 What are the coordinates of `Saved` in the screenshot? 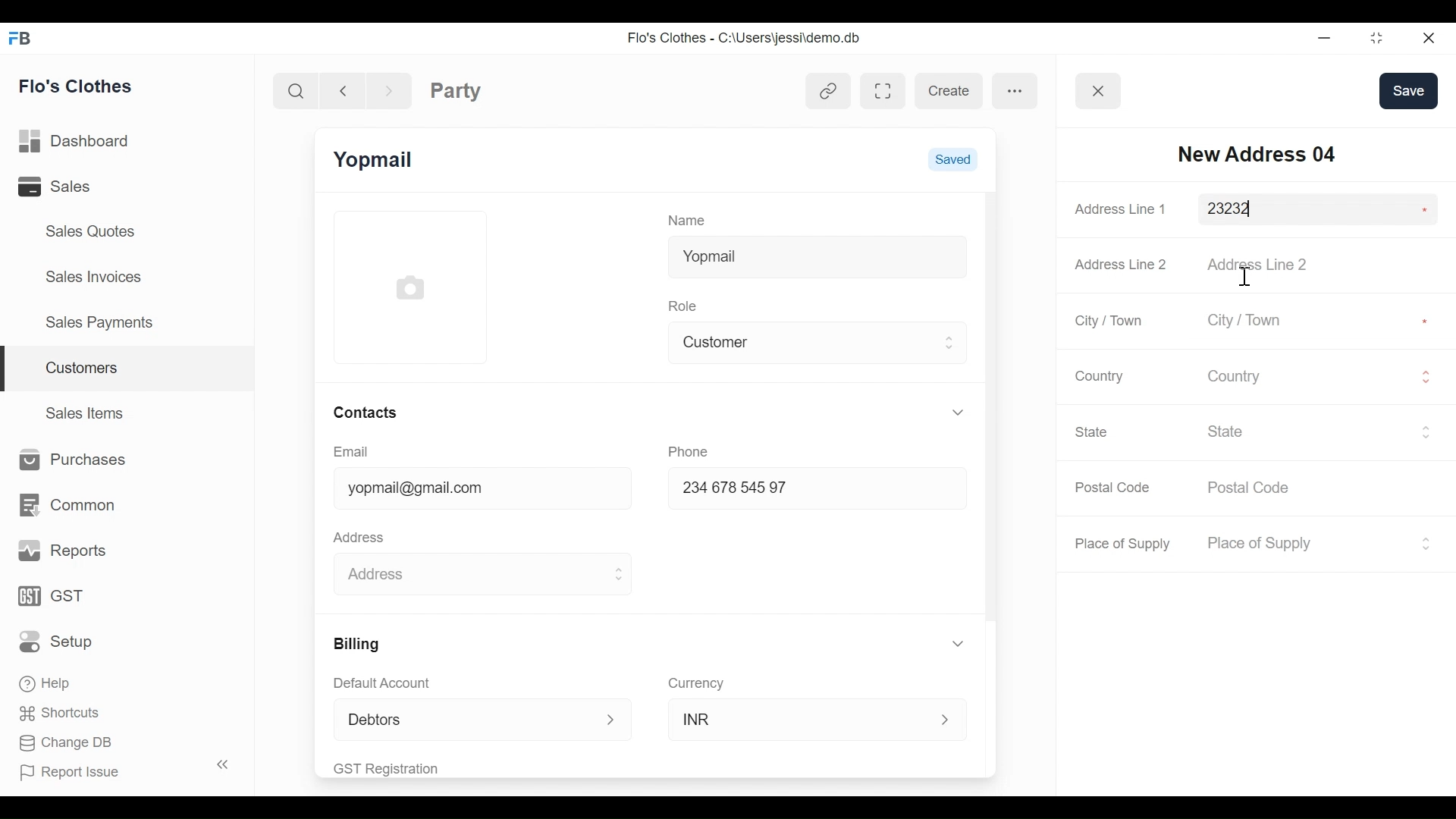 It's located at (952, 158).